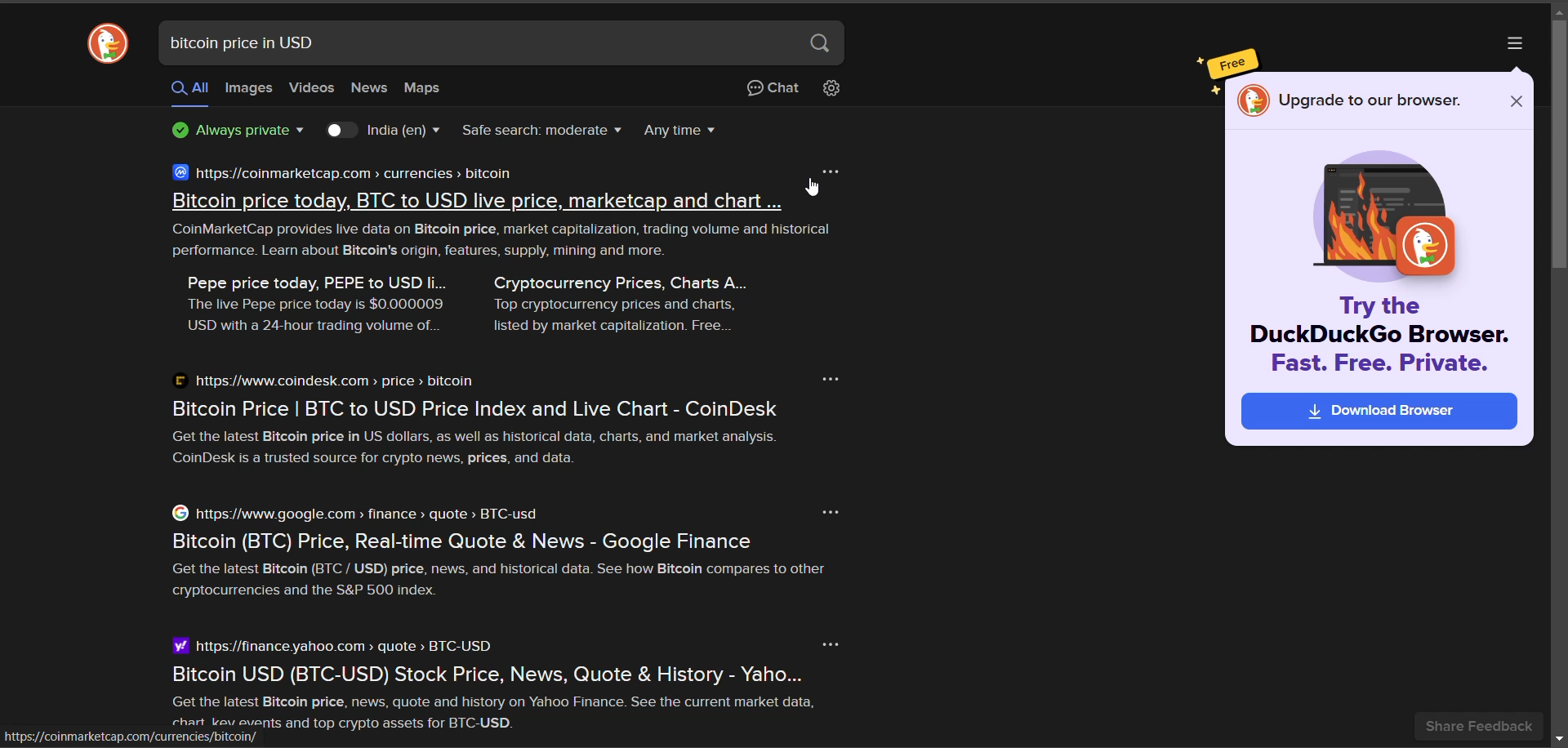  What do you see at coordinates (107, 44) in the screenshot?
I see `website logo` at bounding box center [107, 44].